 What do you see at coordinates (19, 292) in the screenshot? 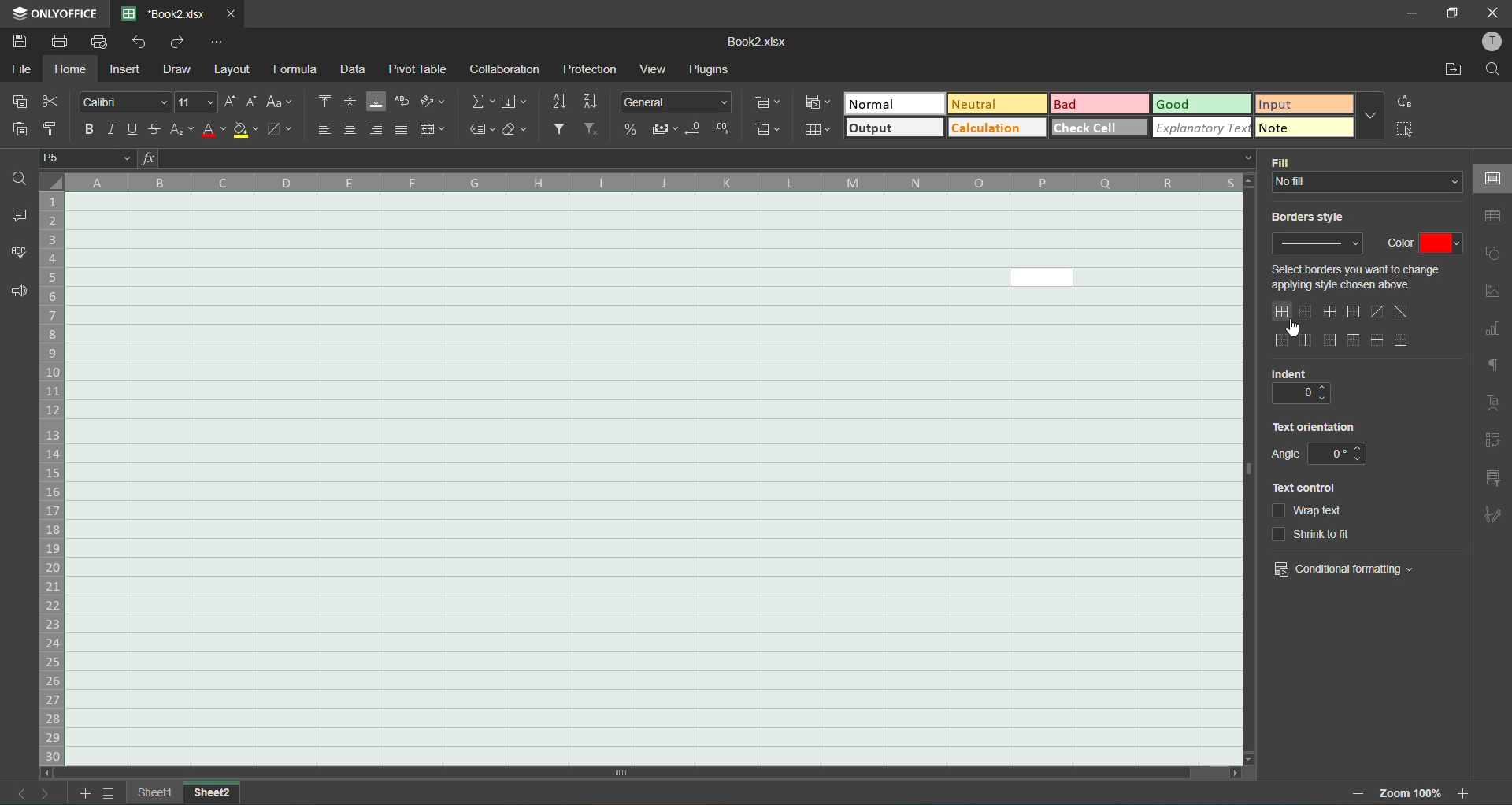
I see `feedback` at bounding box center [19, 292].